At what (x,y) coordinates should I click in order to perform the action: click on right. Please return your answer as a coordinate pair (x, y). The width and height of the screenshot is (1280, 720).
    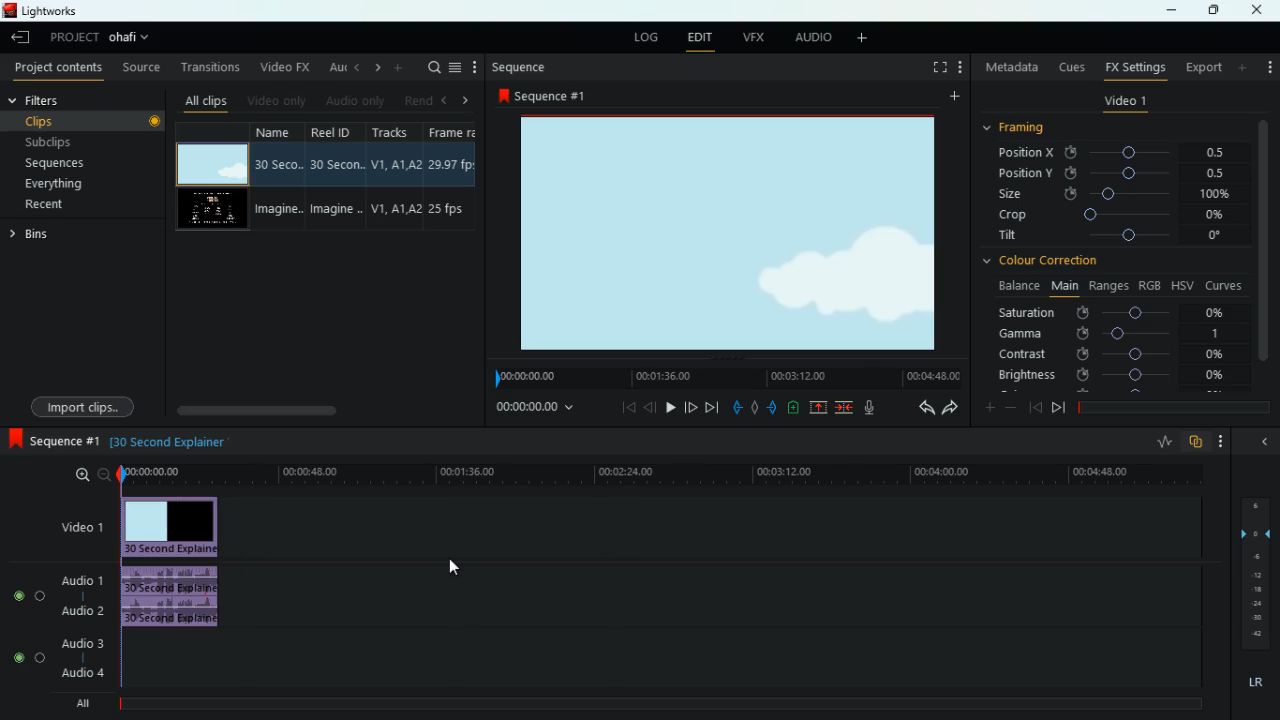
    Looking at the image, I should click on (374, 69).